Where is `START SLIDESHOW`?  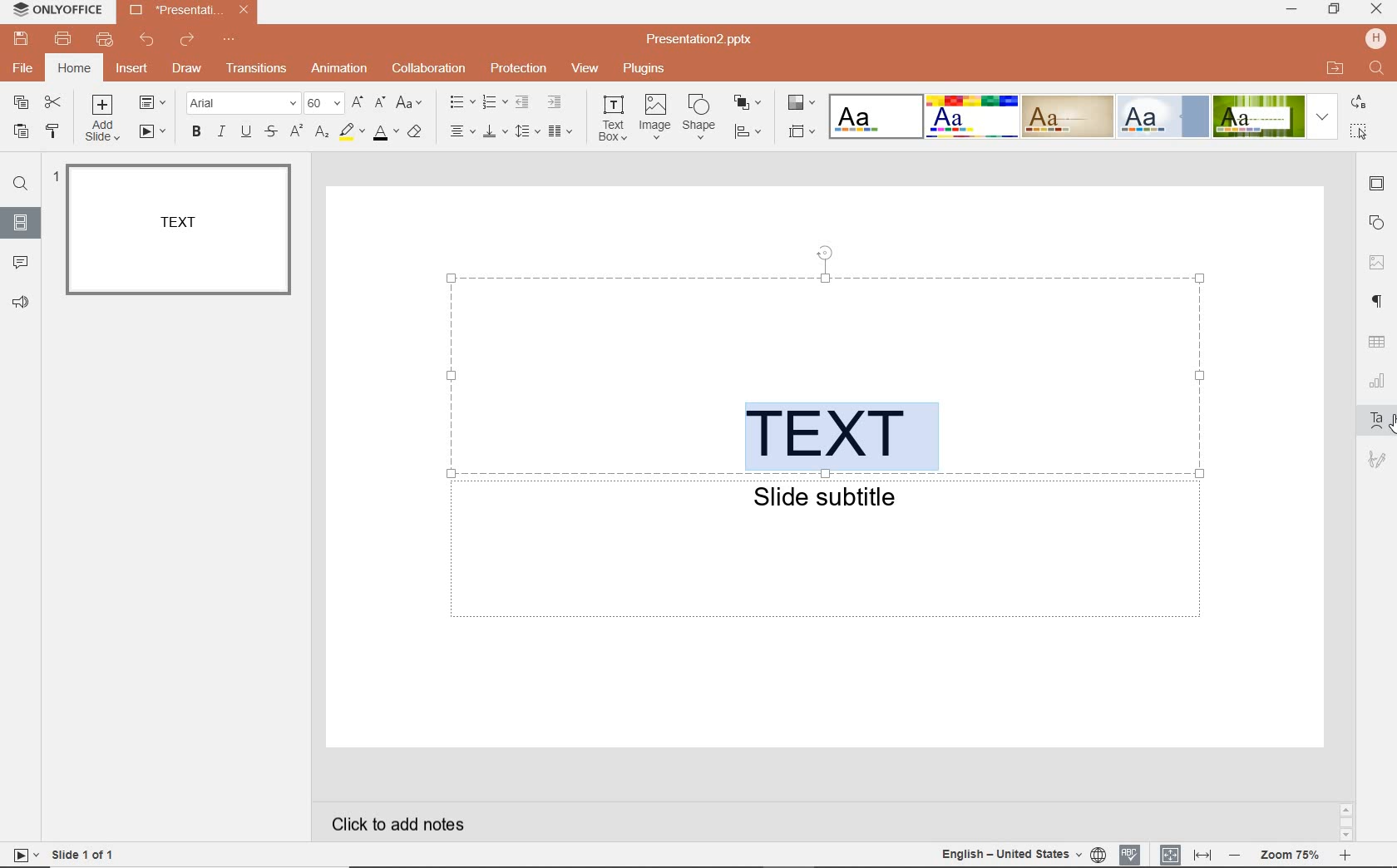 START SLIDESHOW is located at coordinates (152, 133).